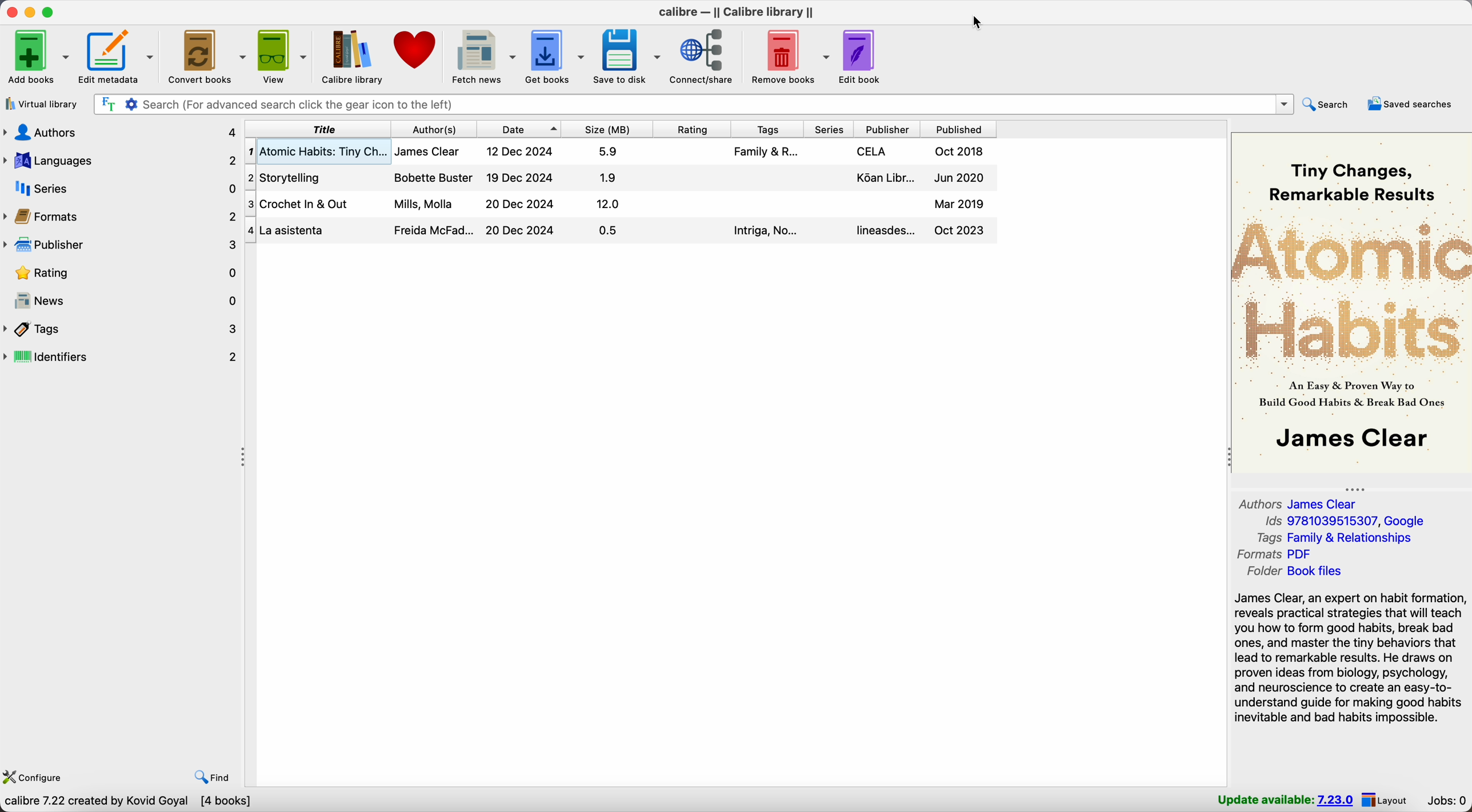 The width and height of the screenshot is (1472, 812). I want to click on identifiers, so click(122, 358).